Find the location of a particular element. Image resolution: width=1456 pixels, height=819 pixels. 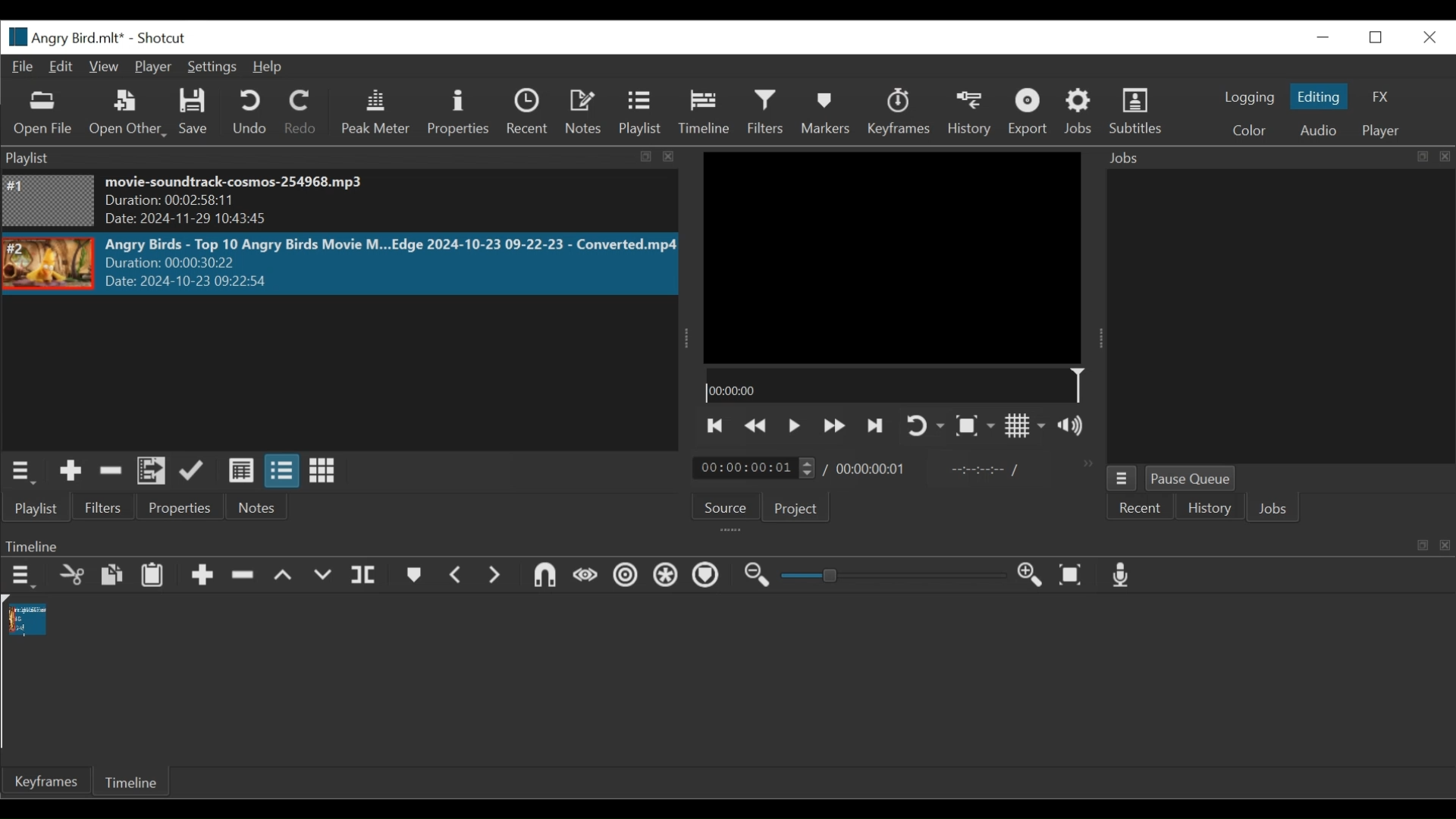

Close is located at coordinates (1429, 35).